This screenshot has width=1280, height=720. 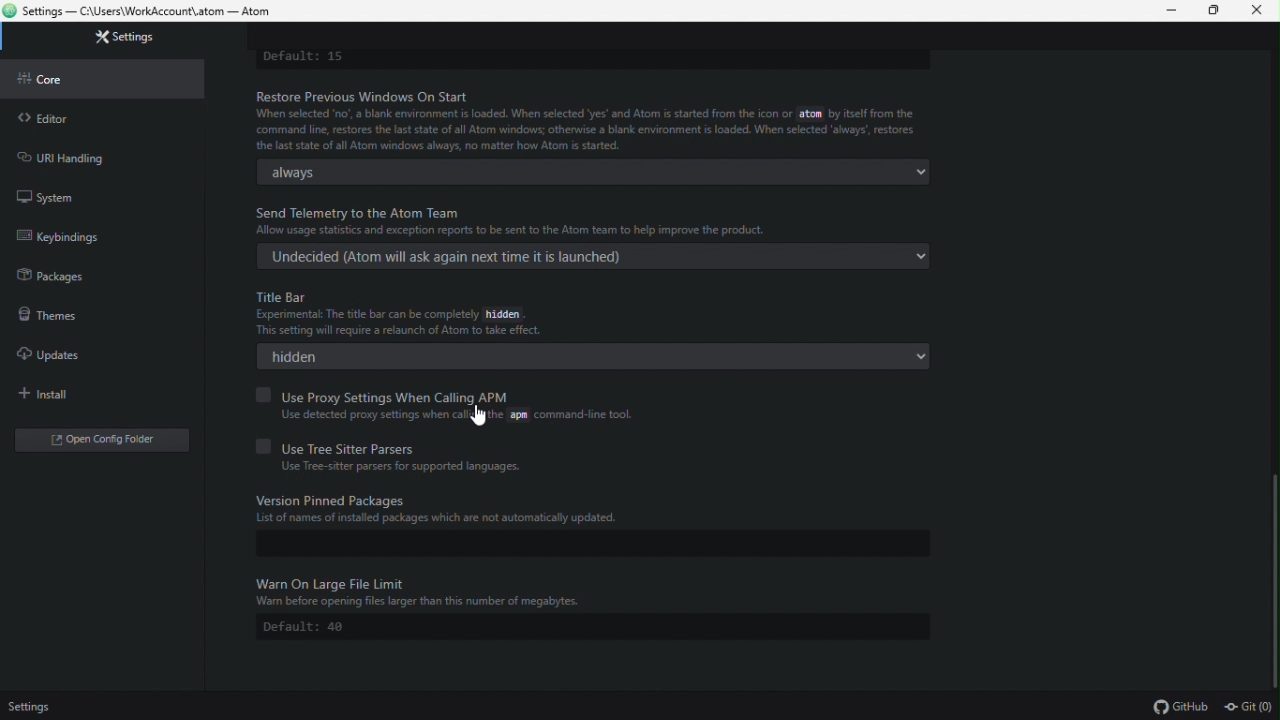 What do you see at coordinates (589, 257) in the screenshot?
I see `Undecided (Atom will ask again next time it is launched)` at bounding box center [589, 257].